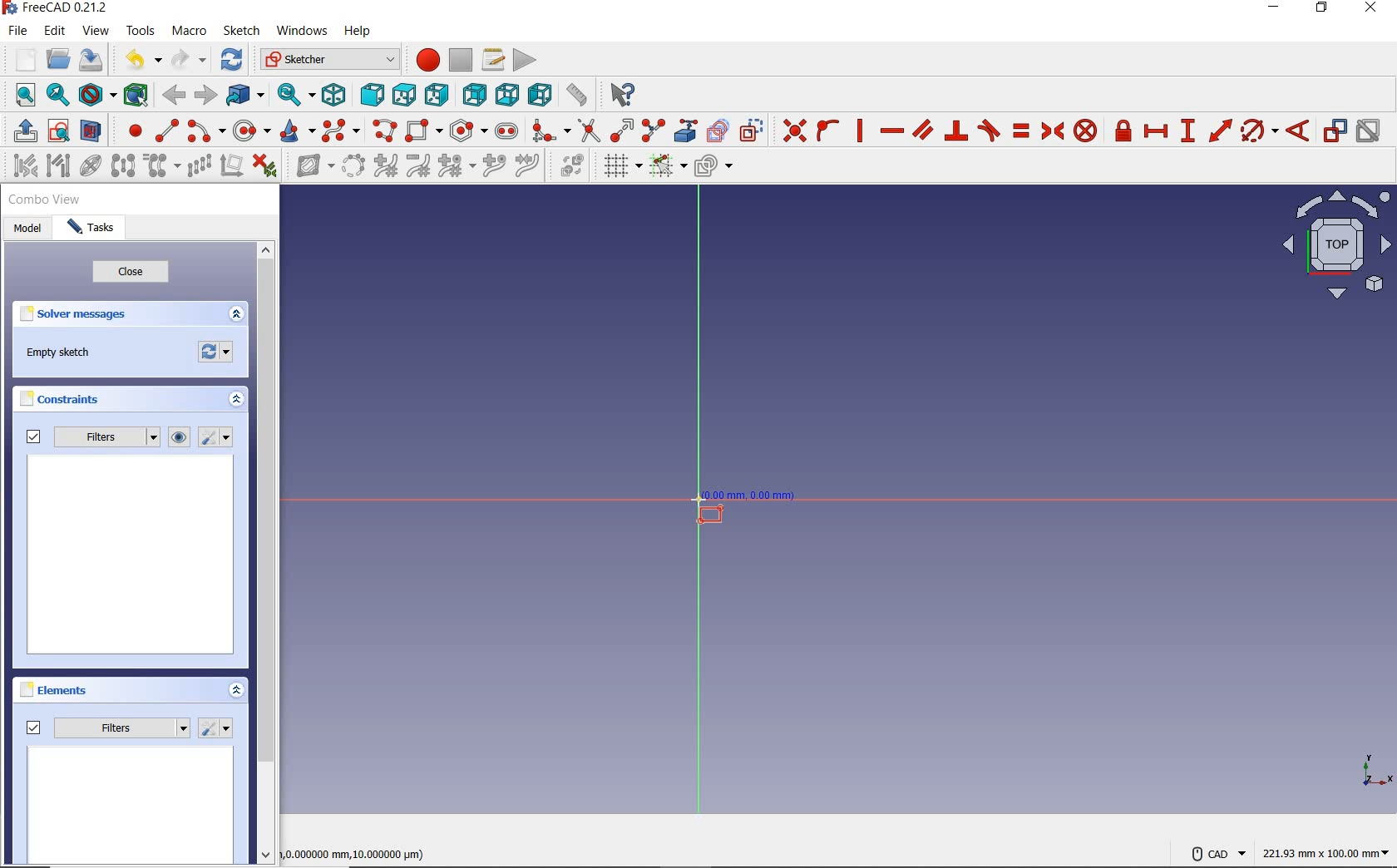 Image resolution: width=1397 pixels, height=868 pixels. What do you see at coordinates (717, 169) in the screenshot?
I see `configure rendering order` at bounding box center [717, 169].